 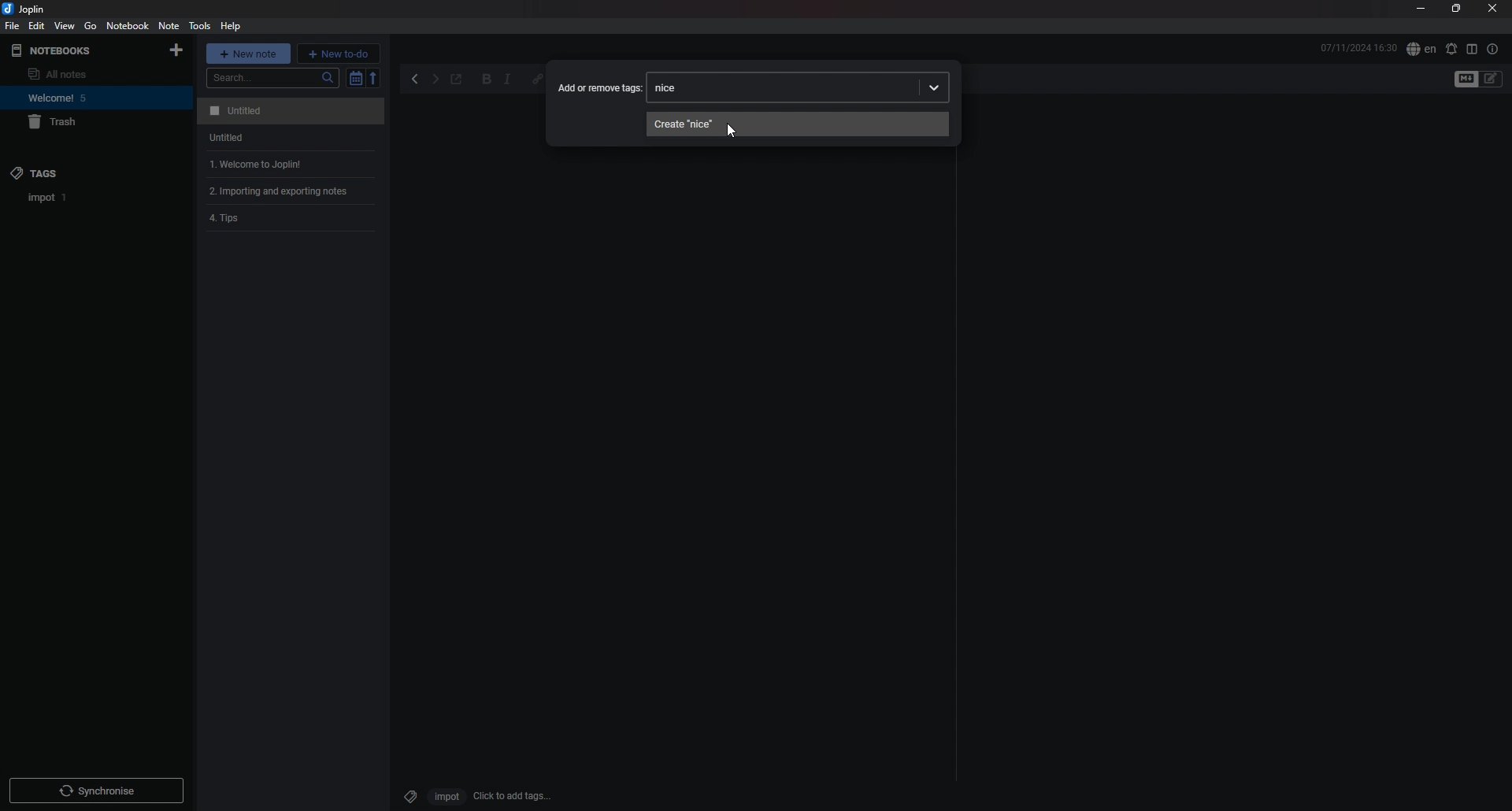 What do you see at coordinates (1421, 10) in the screenshot?
I see `minimize` at bounding box center [1421, 10].